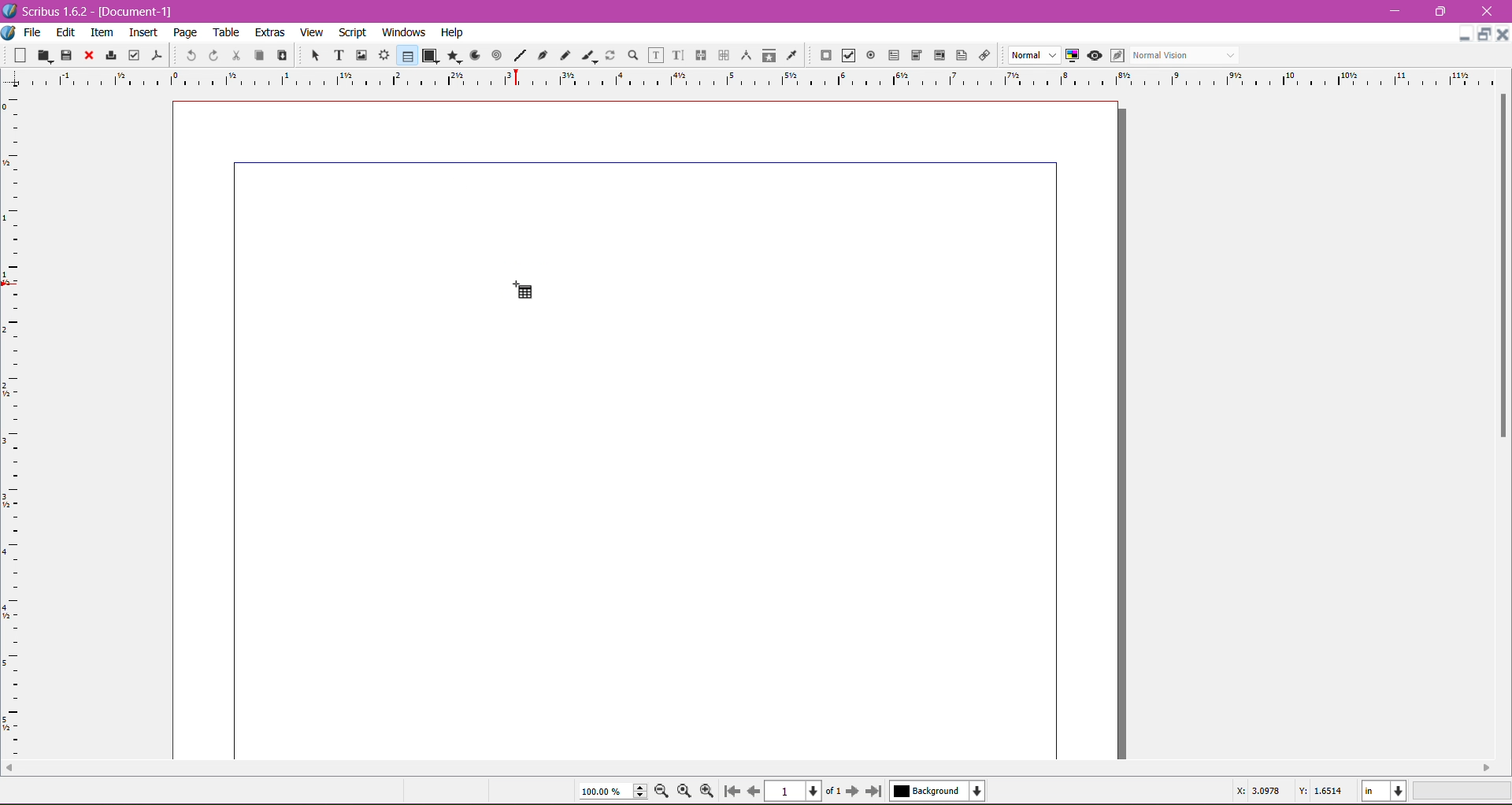 This screenshot has width=1512, height=805. I want to click on Link Annotation, so click(982, 54).